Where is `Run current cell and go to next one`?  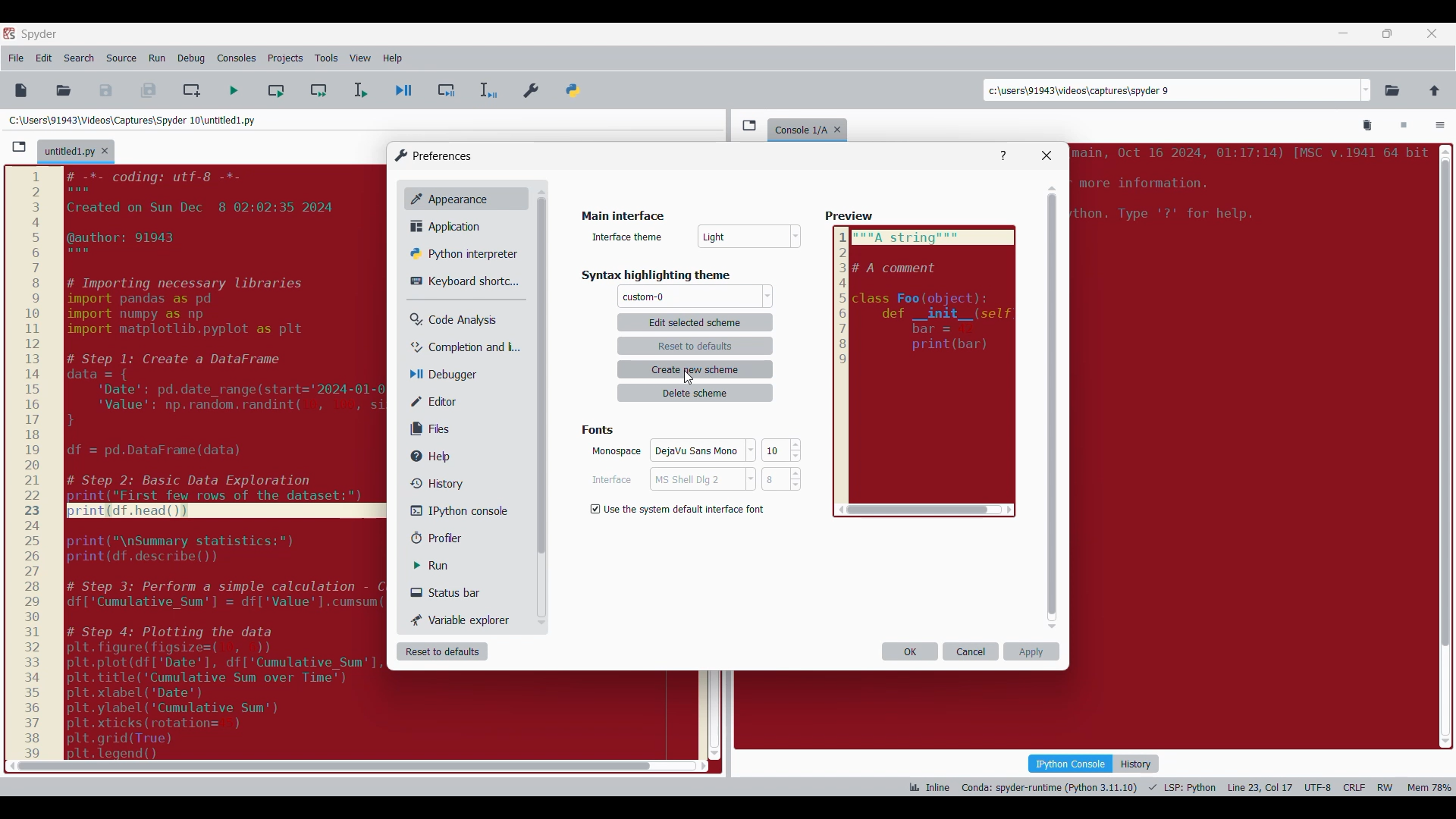
Run current cell and go to next one is located at coordinates (318, 90).